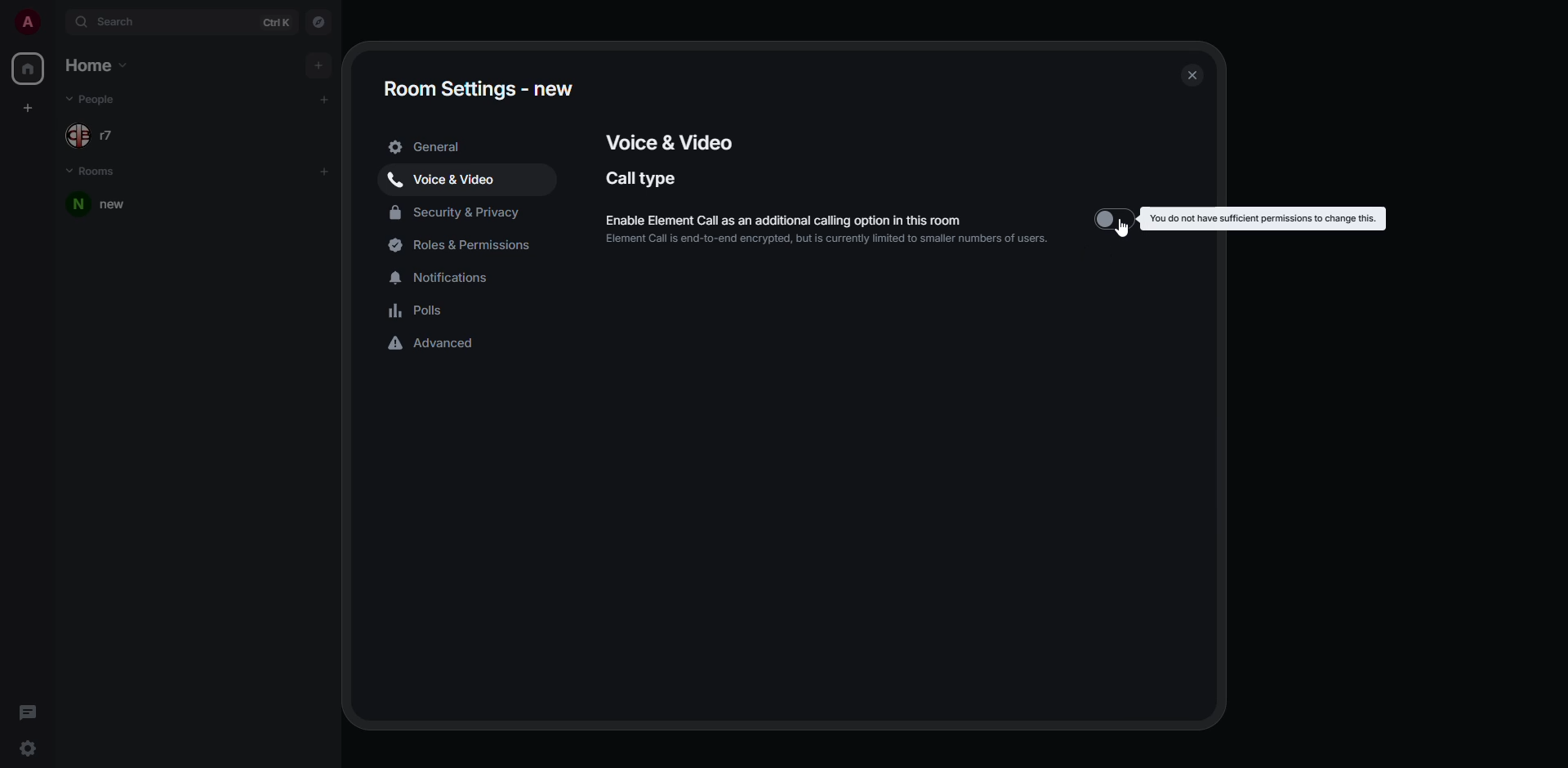  Describe the element at coordinates (1188, 74) in the screenshot. I see `close` at that location.